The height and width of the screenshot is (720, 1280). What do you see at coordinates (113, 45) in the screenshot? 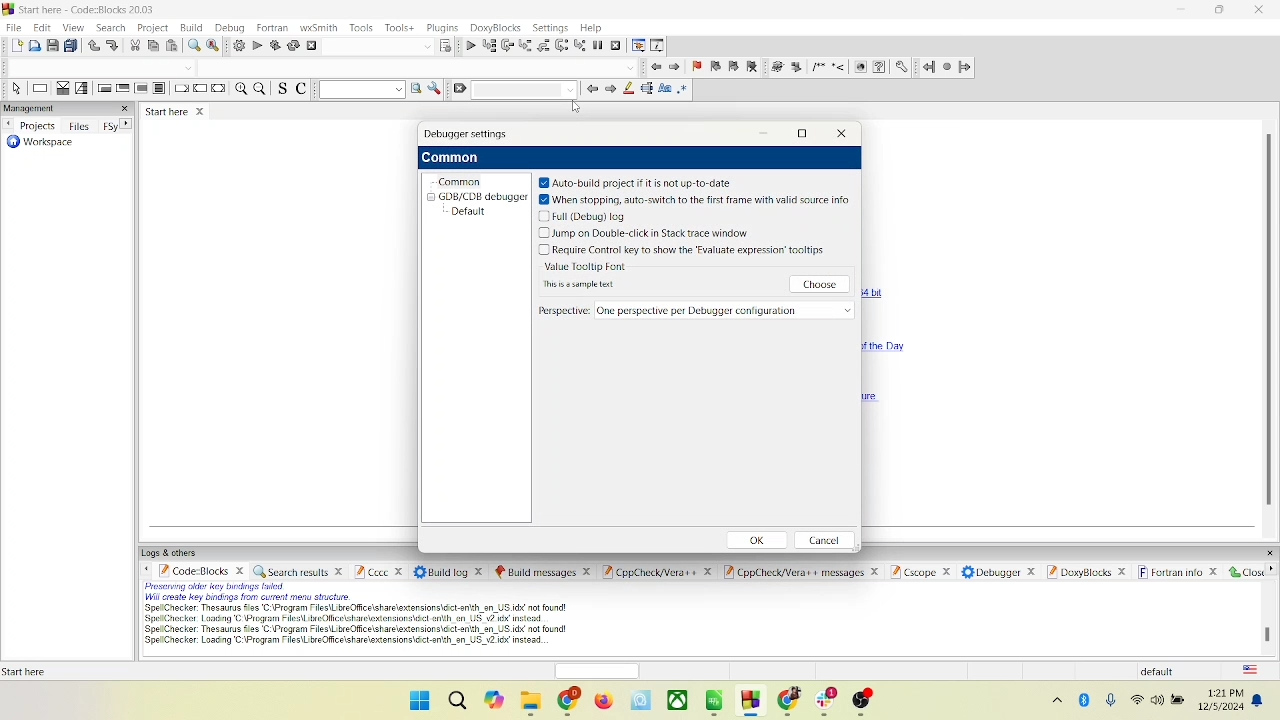
I see `redo` at bounding box center [113, 45].